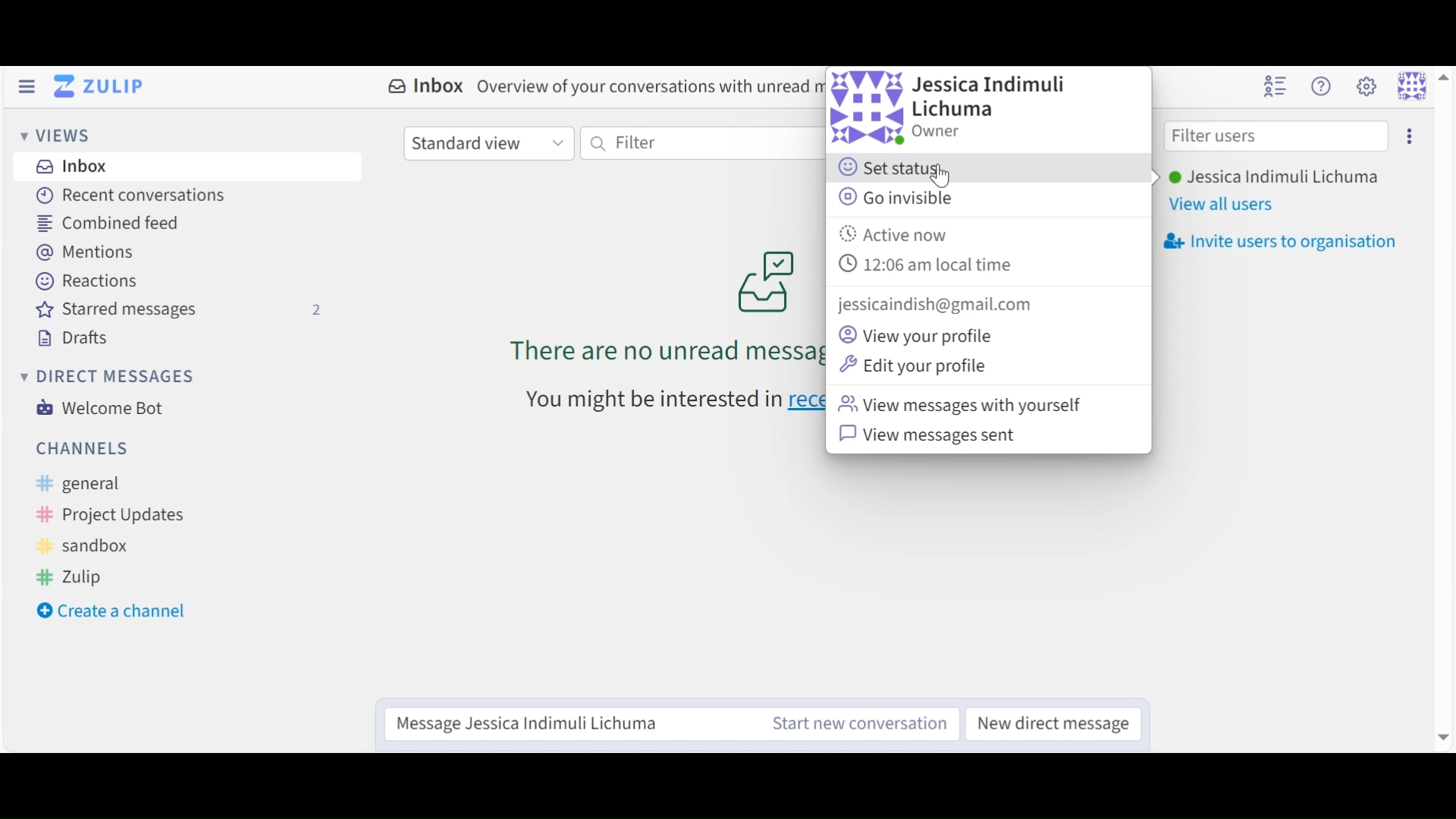 The height and width of the screenshot is (819, 1456). Describe the element at coordinates (566, 723) in the screenshot. I see `Reply message` at that location.